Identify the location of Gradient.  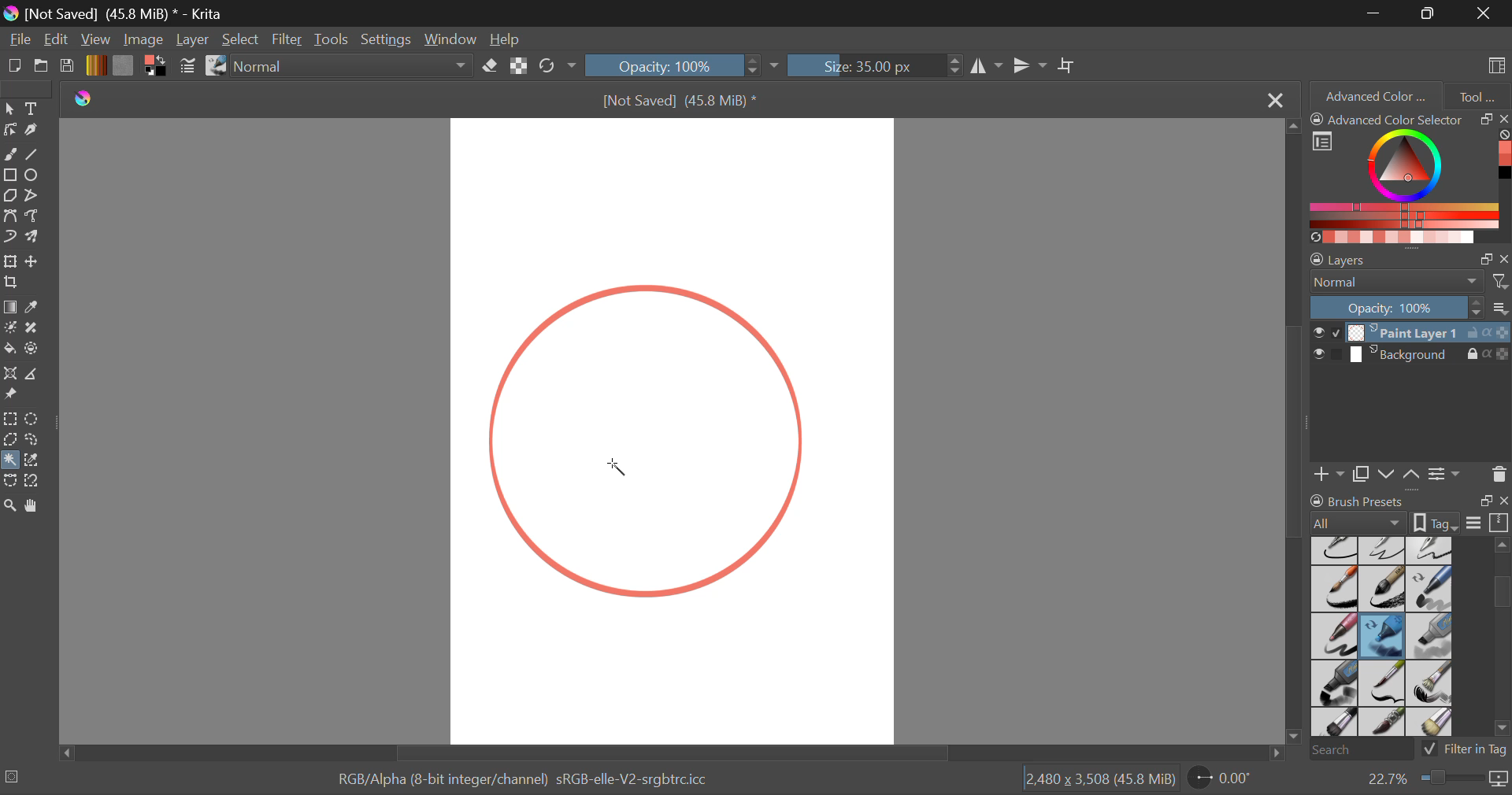
(95, 65).